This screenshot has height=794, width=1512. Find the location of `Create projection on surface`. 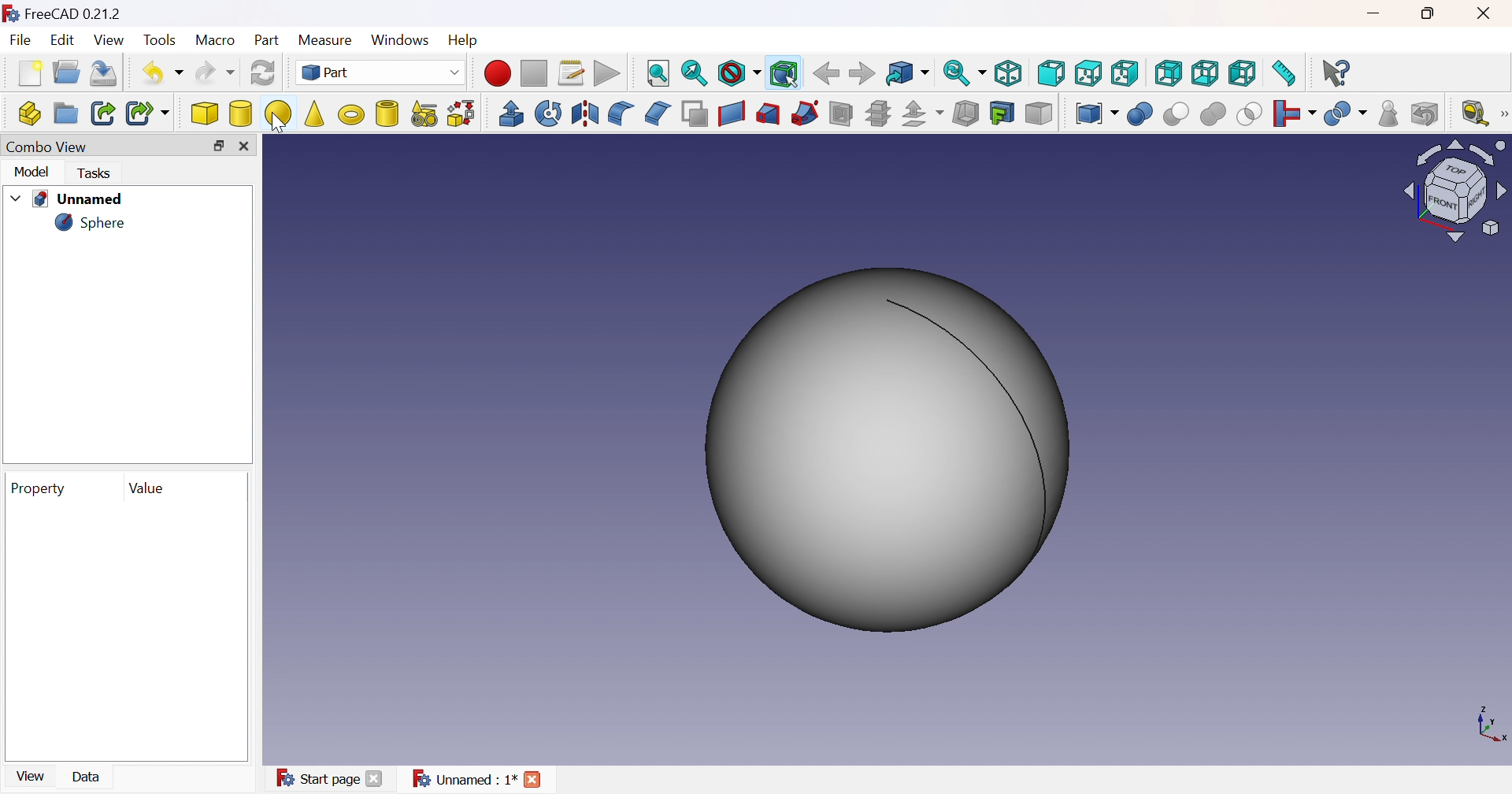

Create projection on surface is located at coordinates (1002, 113).